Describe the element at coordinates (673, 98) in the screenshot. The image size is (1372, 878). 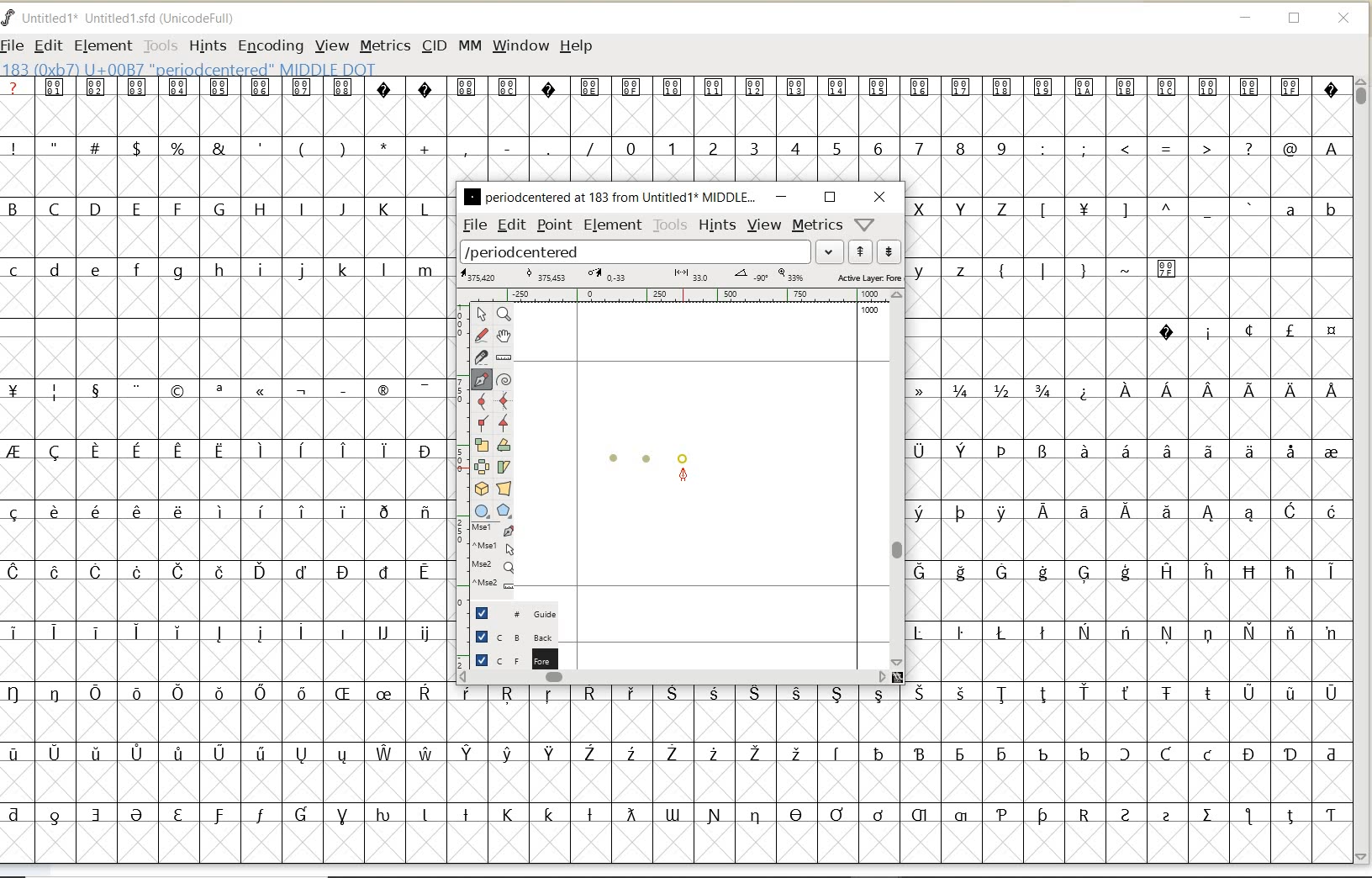
I see `special characters` at that location.